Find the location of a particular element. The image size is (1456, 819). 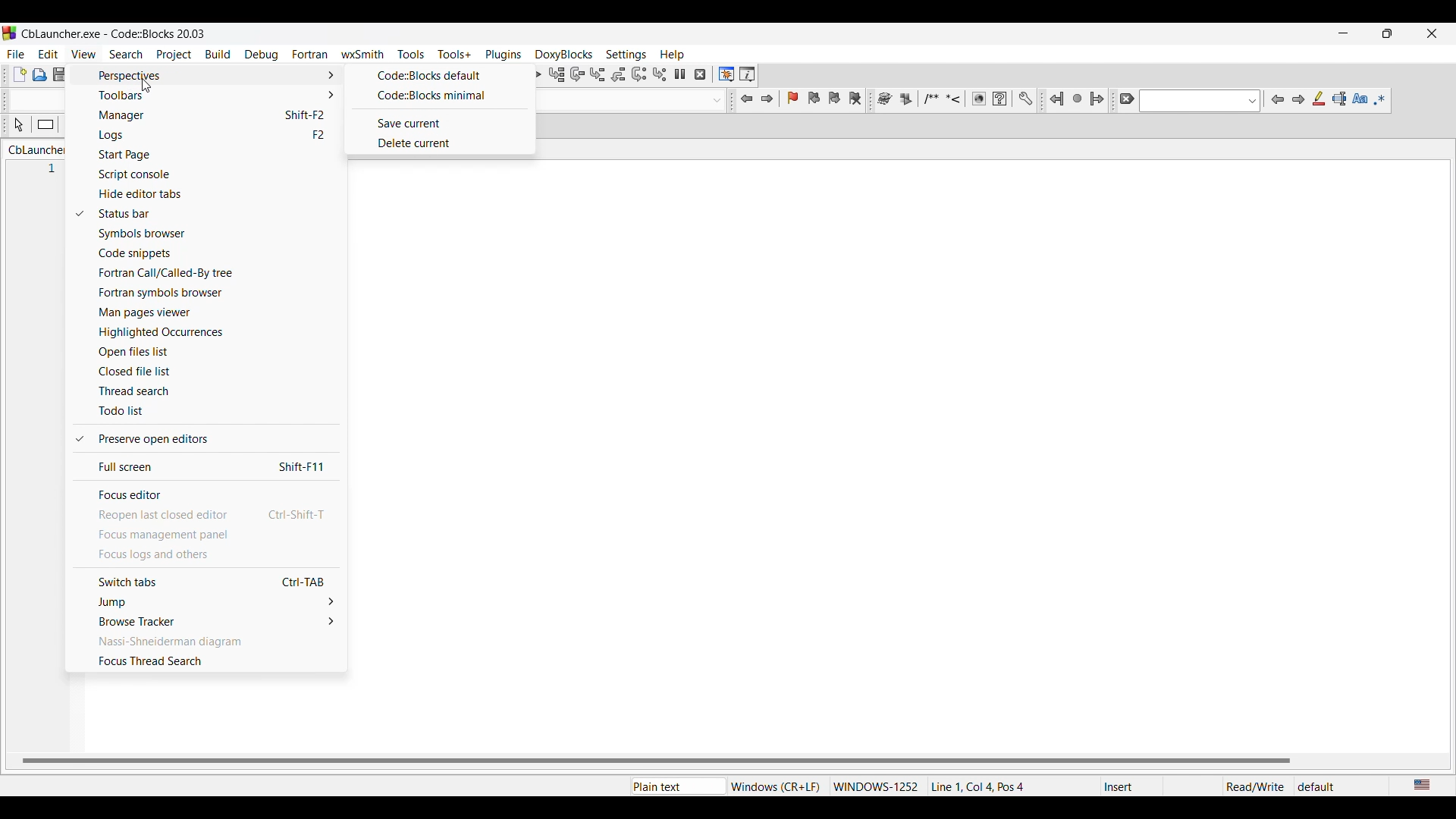

Edit menu is located at coordinates (48, 54).